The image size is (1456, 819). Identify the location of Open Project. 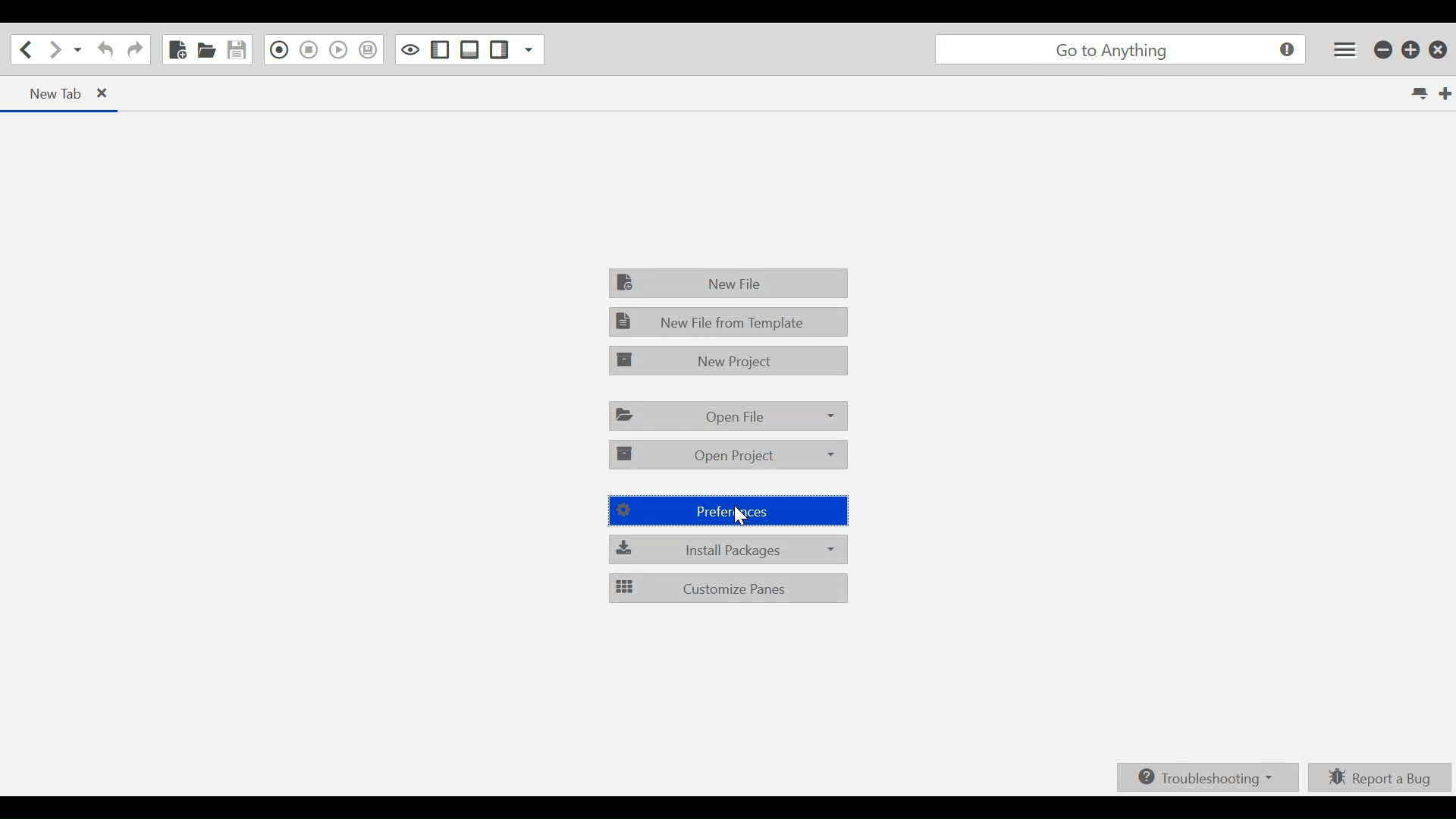
(726, 455).